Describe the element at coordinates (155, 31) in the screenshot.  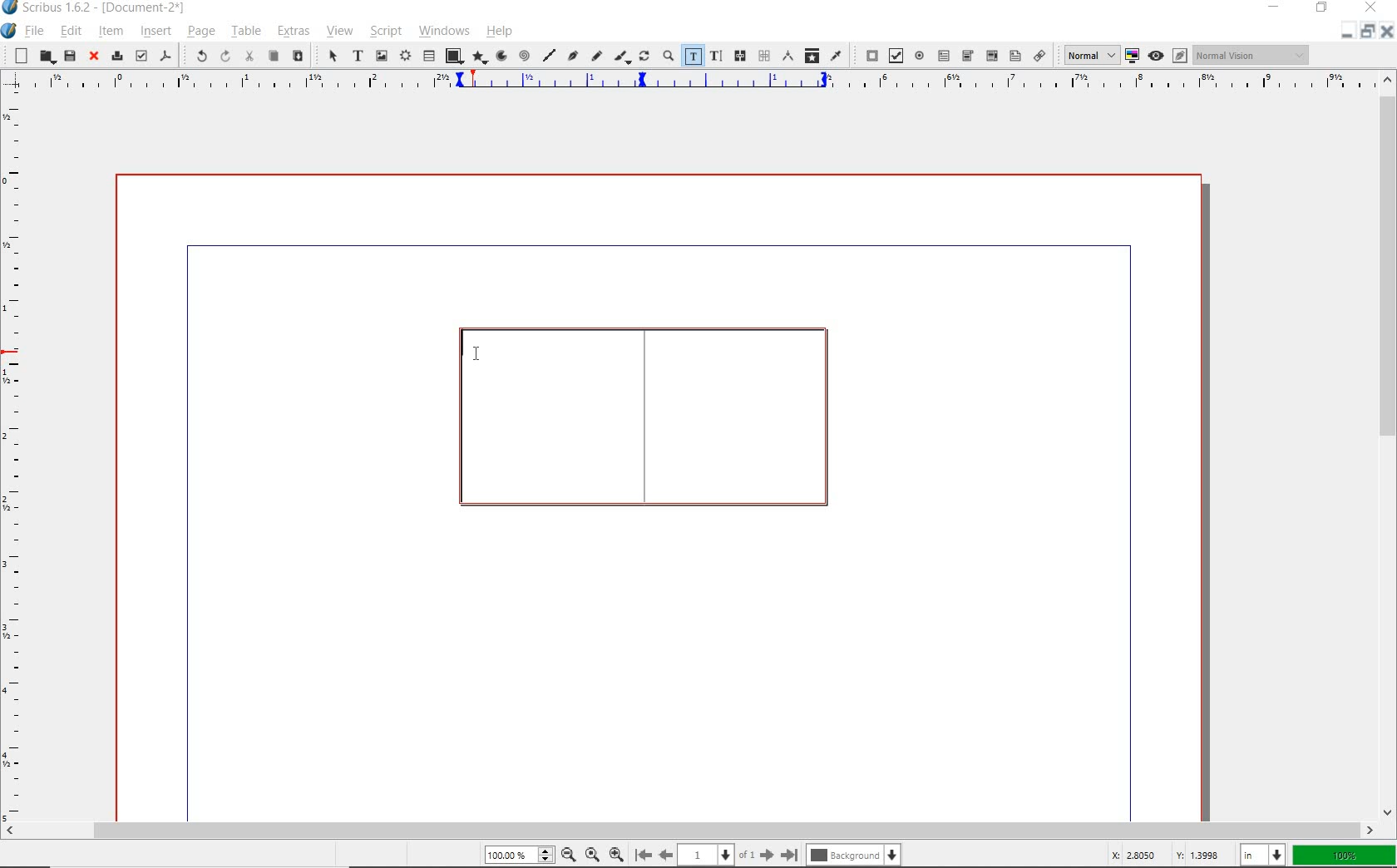
I see `insert` at that location.